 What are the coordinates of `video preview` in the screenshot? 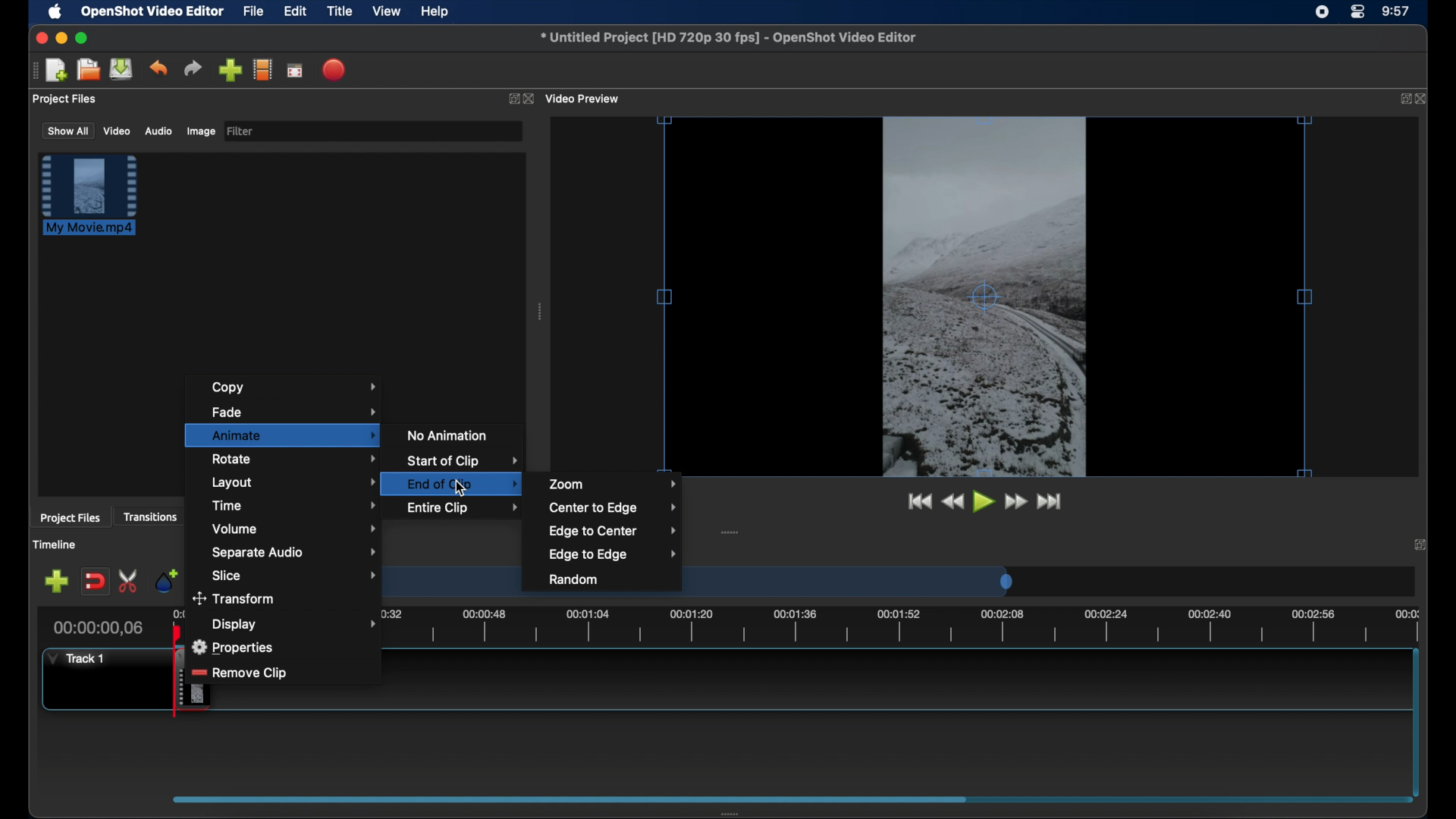 It's located at (985, 298).